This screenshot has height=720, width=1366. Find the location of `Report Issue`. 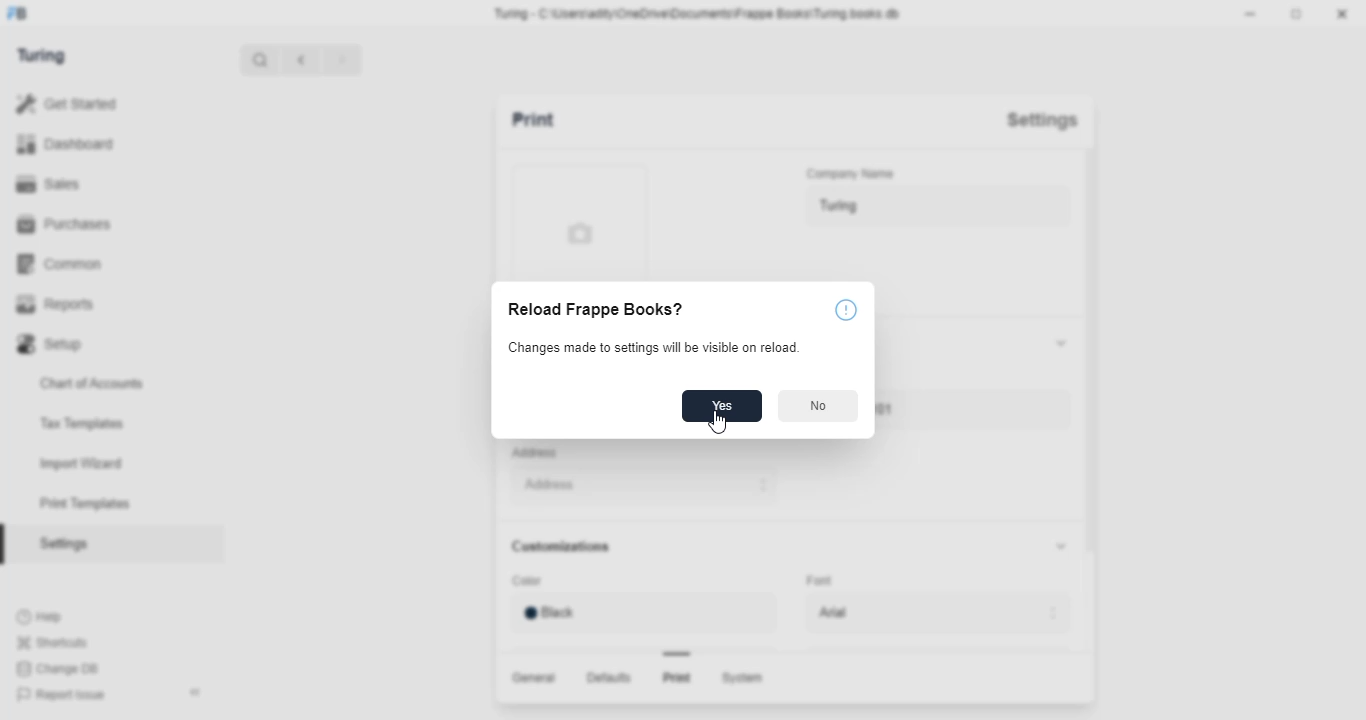

Report Issue is located at coordinates (63, 695).